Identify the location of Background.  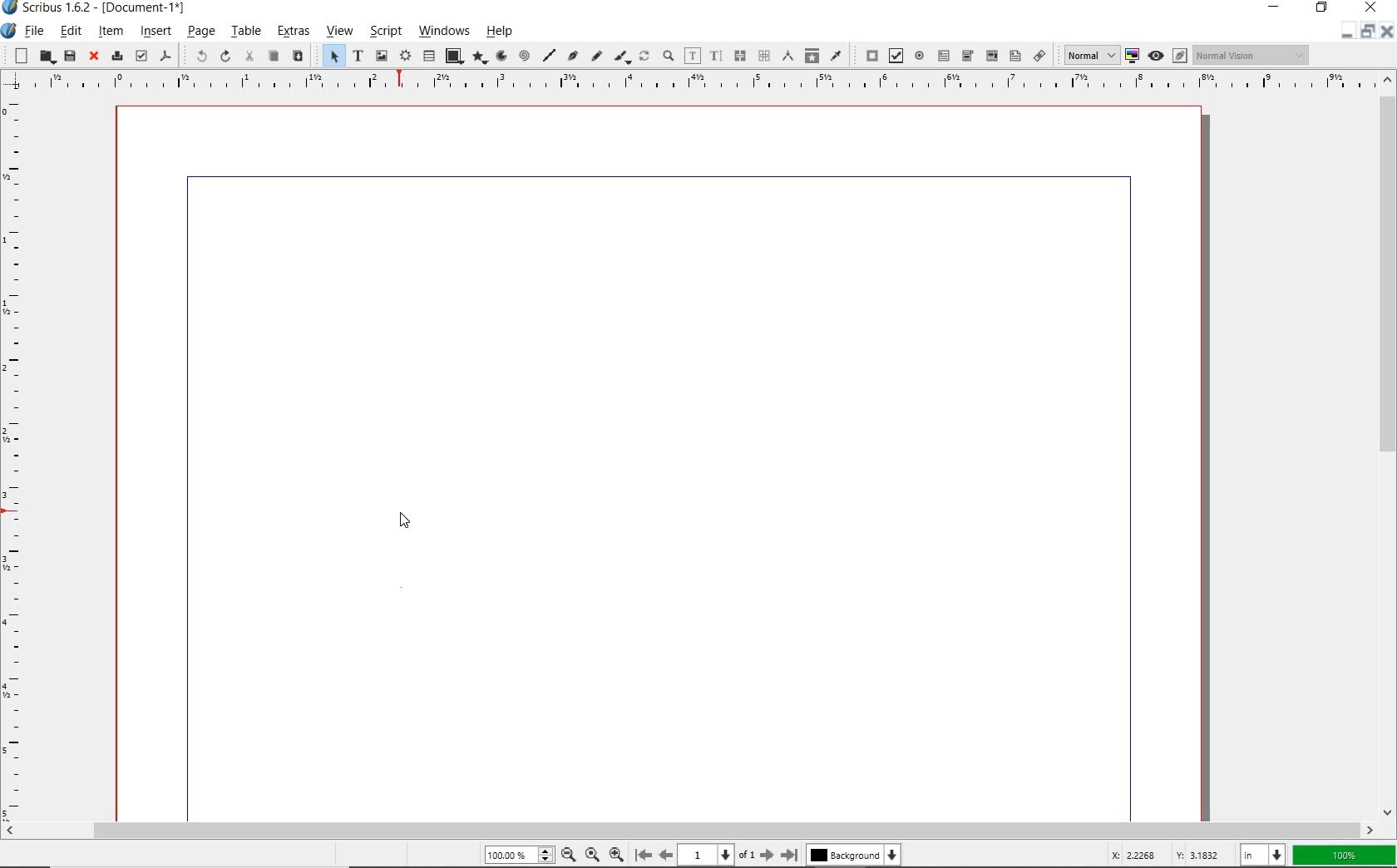
(855, 856).